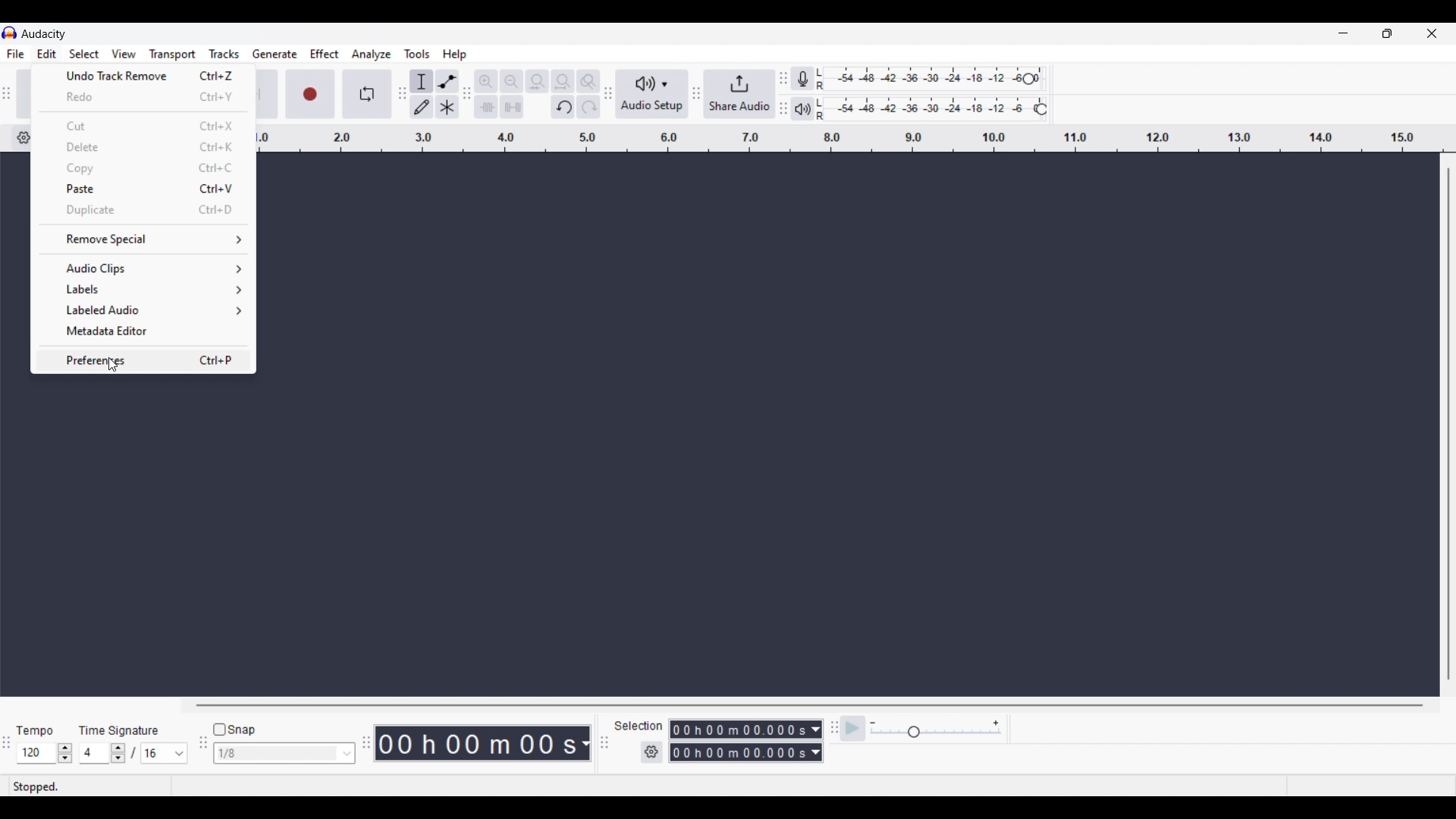  Describe the element at coordinates (563, 107) in the screenshot. I see `Undo` at that location.